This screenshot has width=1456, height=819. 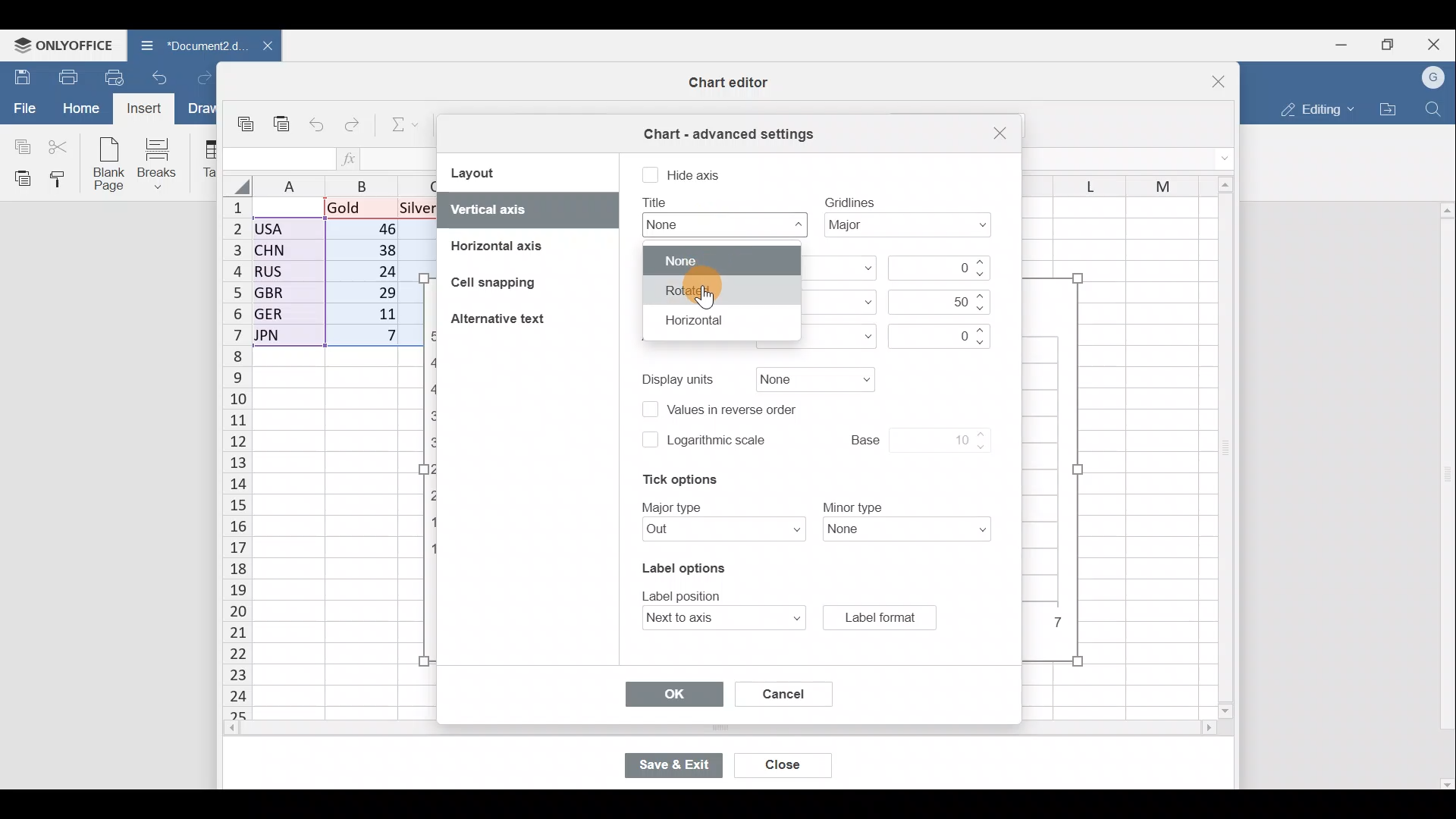 I want to click on Horizontal axis, so click(x=504, y=245).